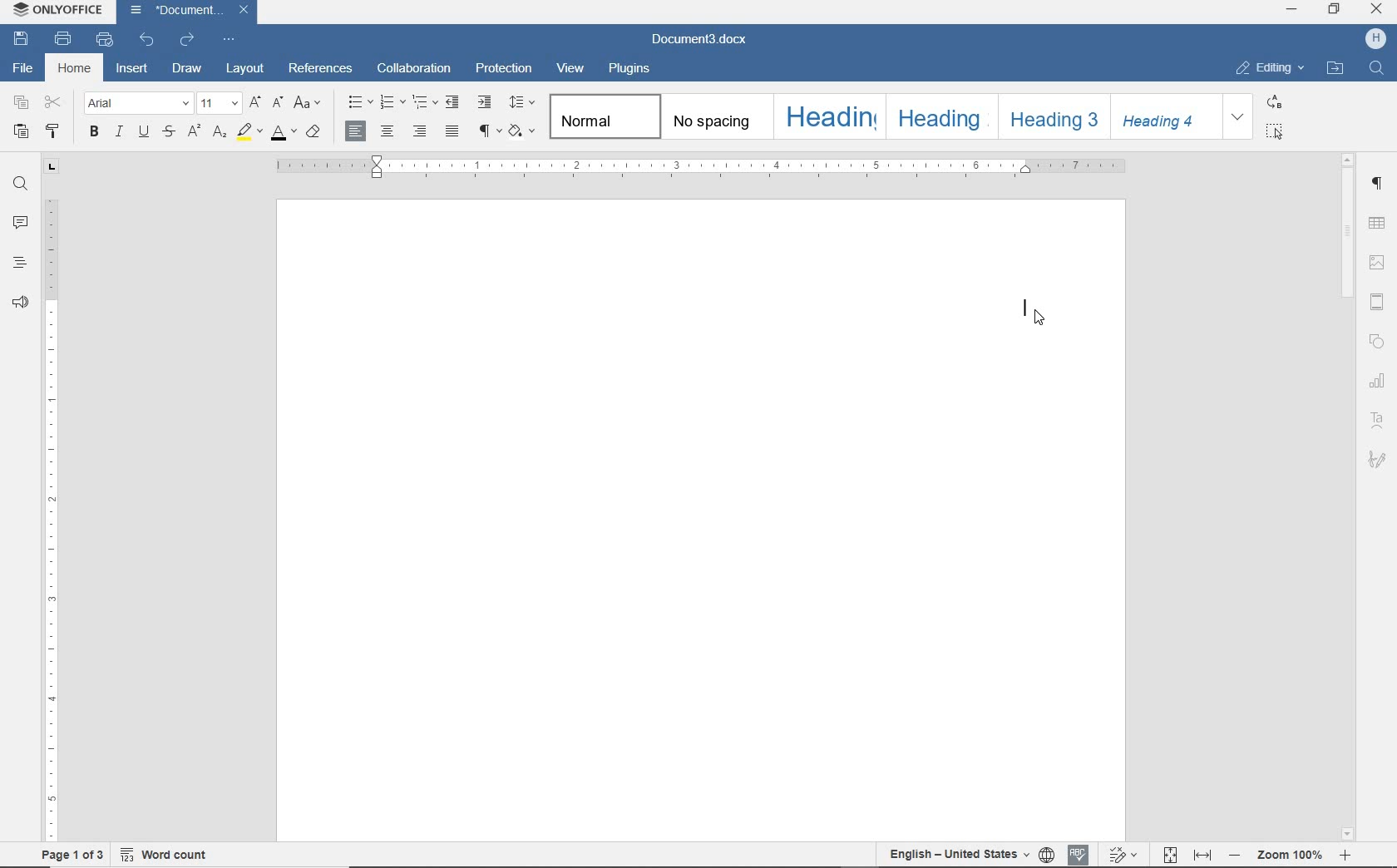  Describe the element at coordinates (521, 101) in the screenshot. I see `PARAGRAPH LINE SPACING` at that location.